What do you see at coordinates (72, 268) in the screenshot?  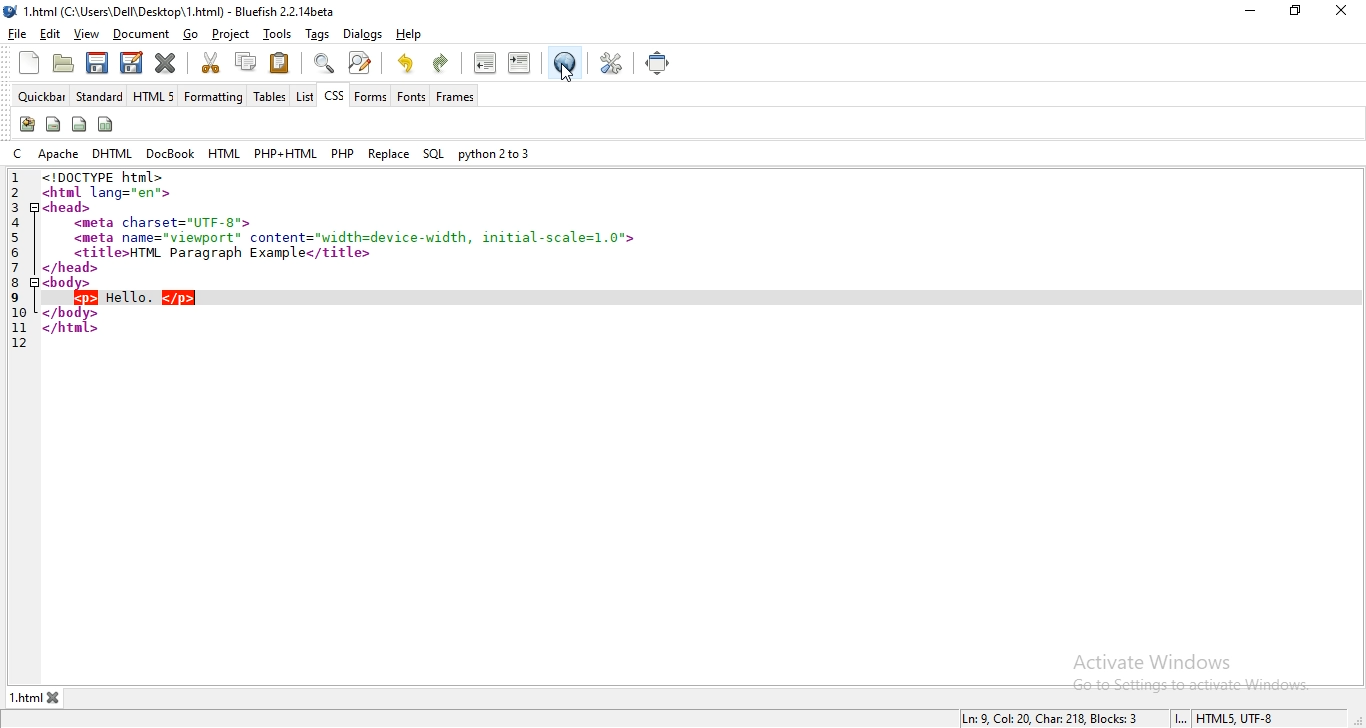 I see `</head>` at bounding box center [72, 268].